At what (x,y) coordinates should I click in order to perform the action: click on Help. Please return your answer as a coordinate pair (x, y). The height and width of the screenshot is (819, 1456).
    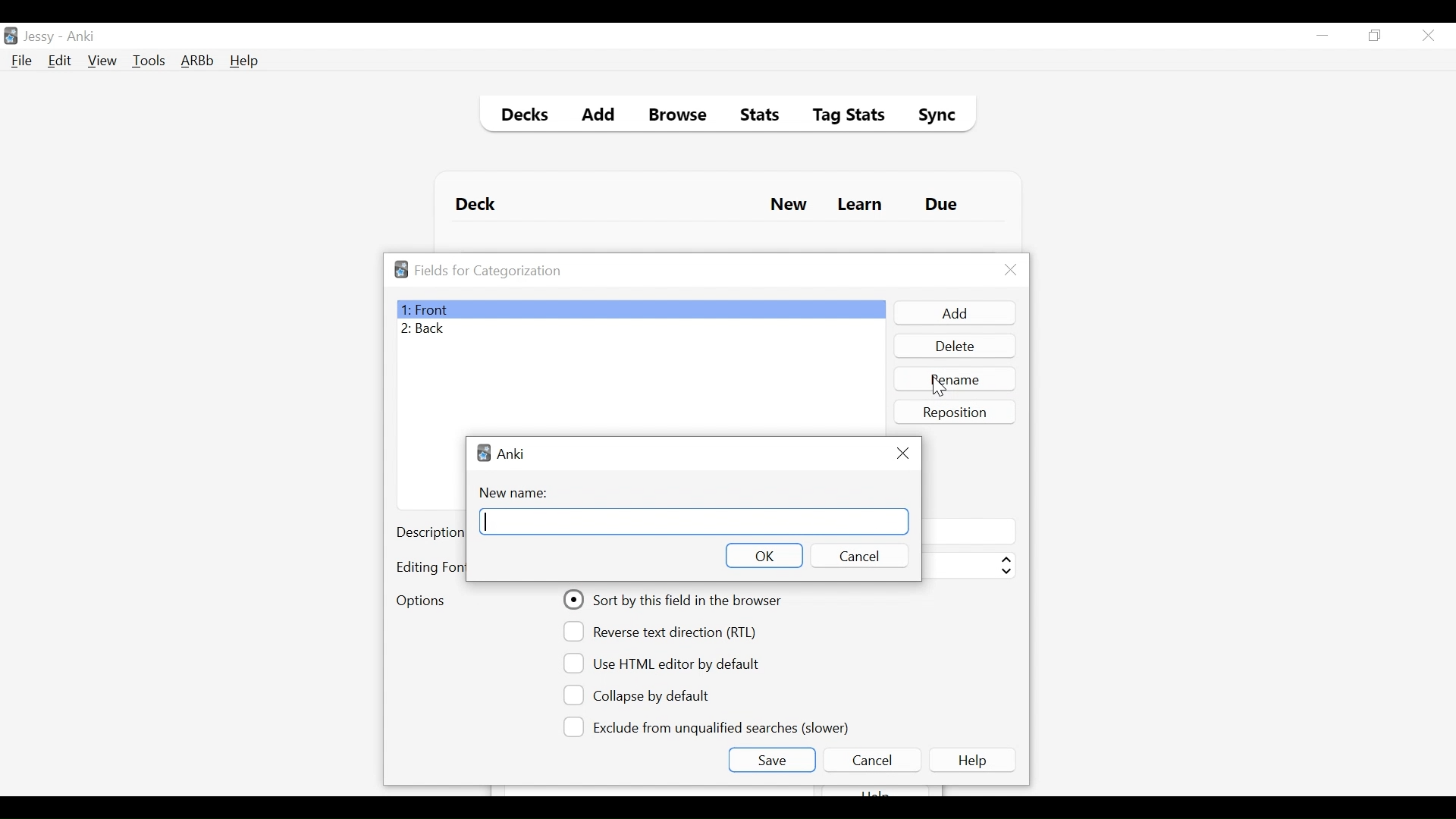
    Looking at the image, I should click on (243, 62).